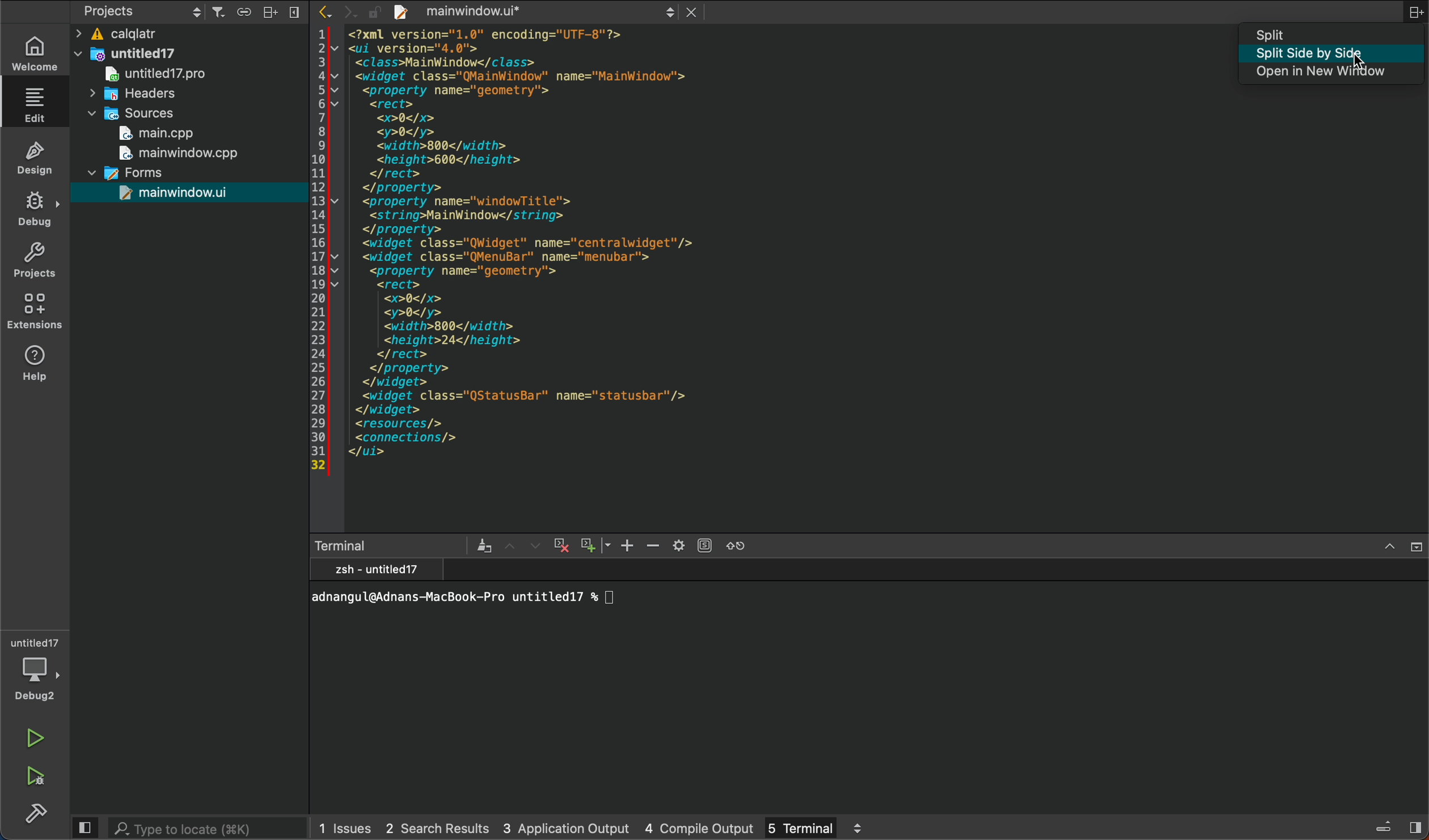 The image size is (1429, 840). I want to click on cursor, so click(1358, 66).